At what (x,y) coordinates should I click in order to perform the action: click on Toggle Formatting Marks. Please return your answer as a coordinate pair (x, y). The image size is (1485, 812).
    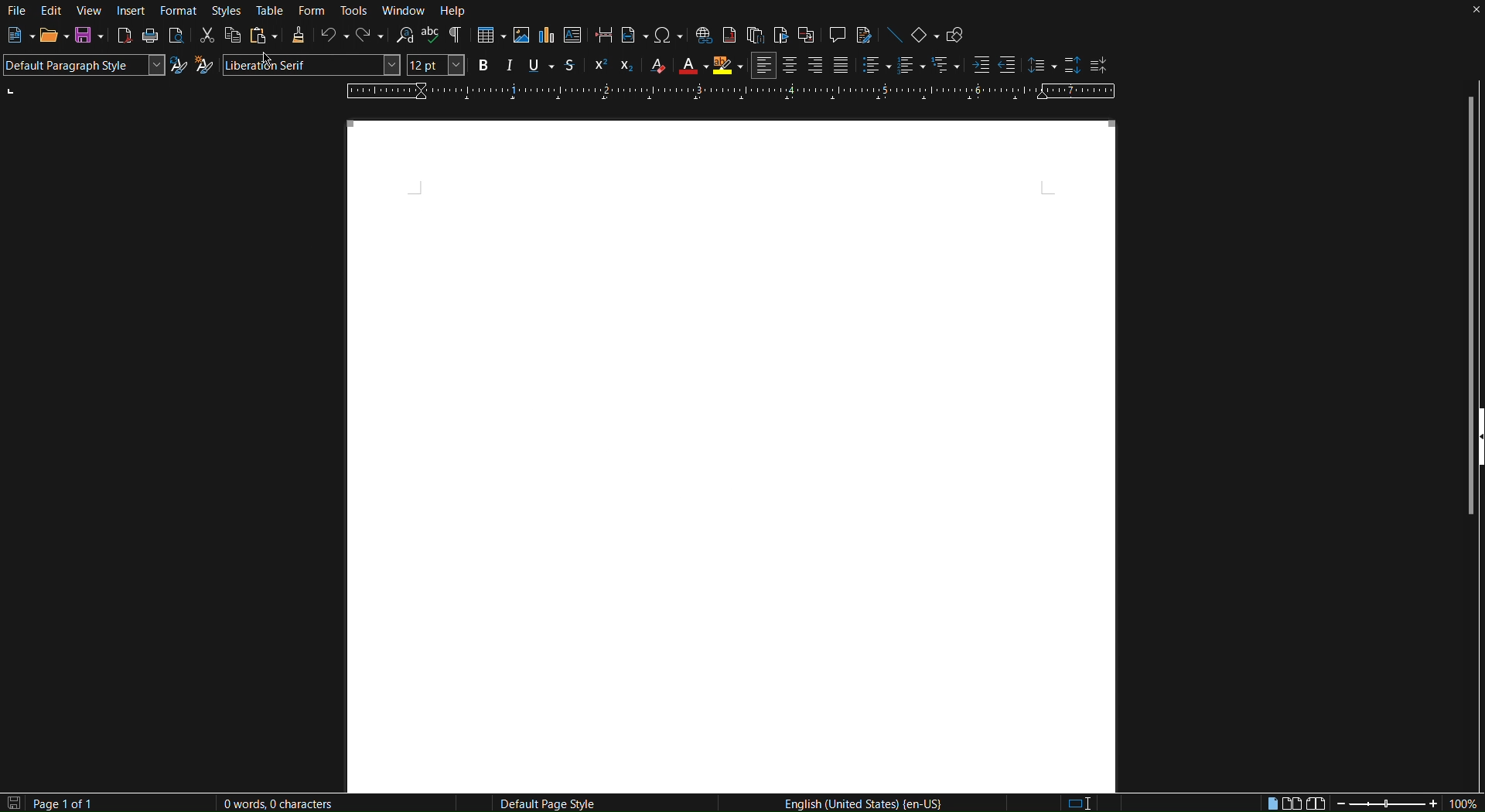
    Looking at the image, I should click on (456, 39).